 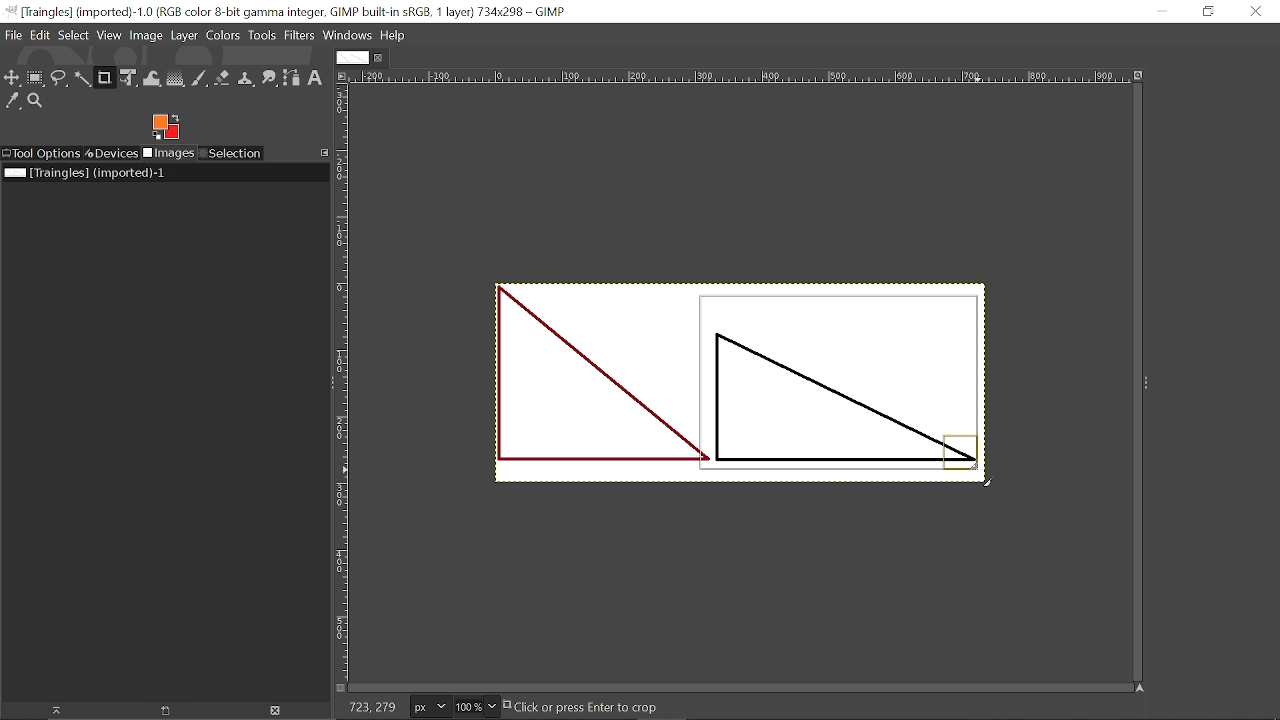 I want to click on Close, so click(x=1256, y=14).